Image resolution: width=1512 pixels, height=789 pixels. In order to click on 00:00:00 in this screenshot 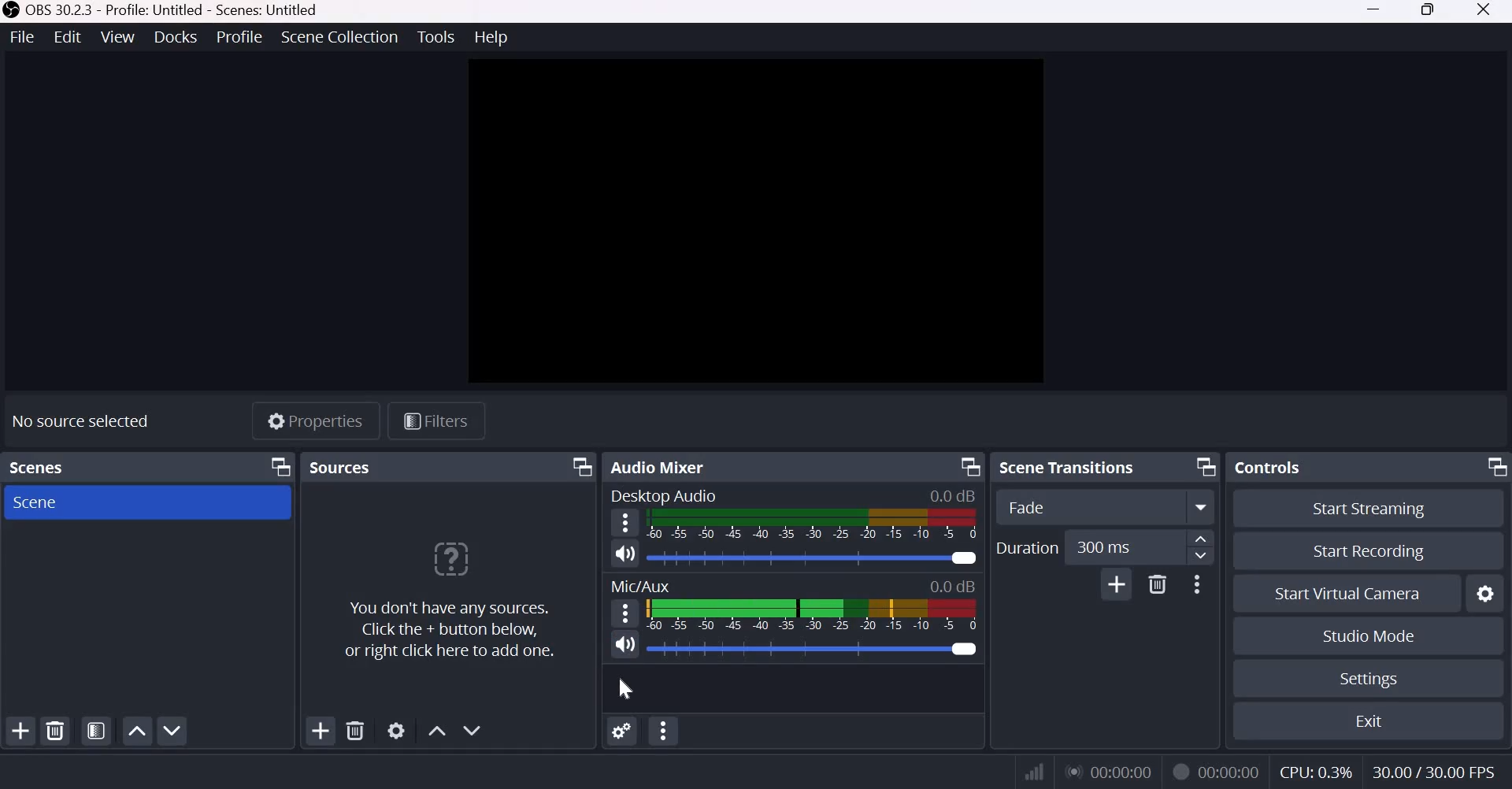, I will do `click(1107, 770)`.